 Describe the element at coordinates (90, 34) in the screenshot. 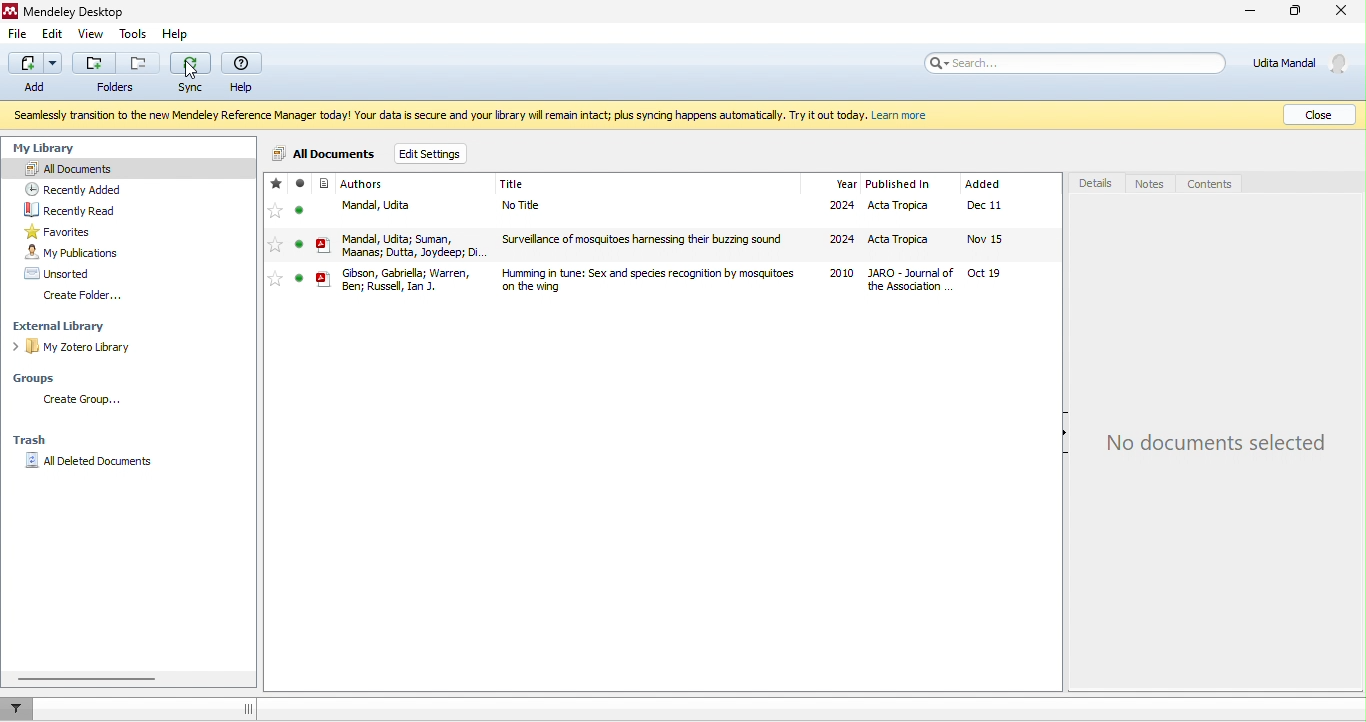

I see `view` at that location.